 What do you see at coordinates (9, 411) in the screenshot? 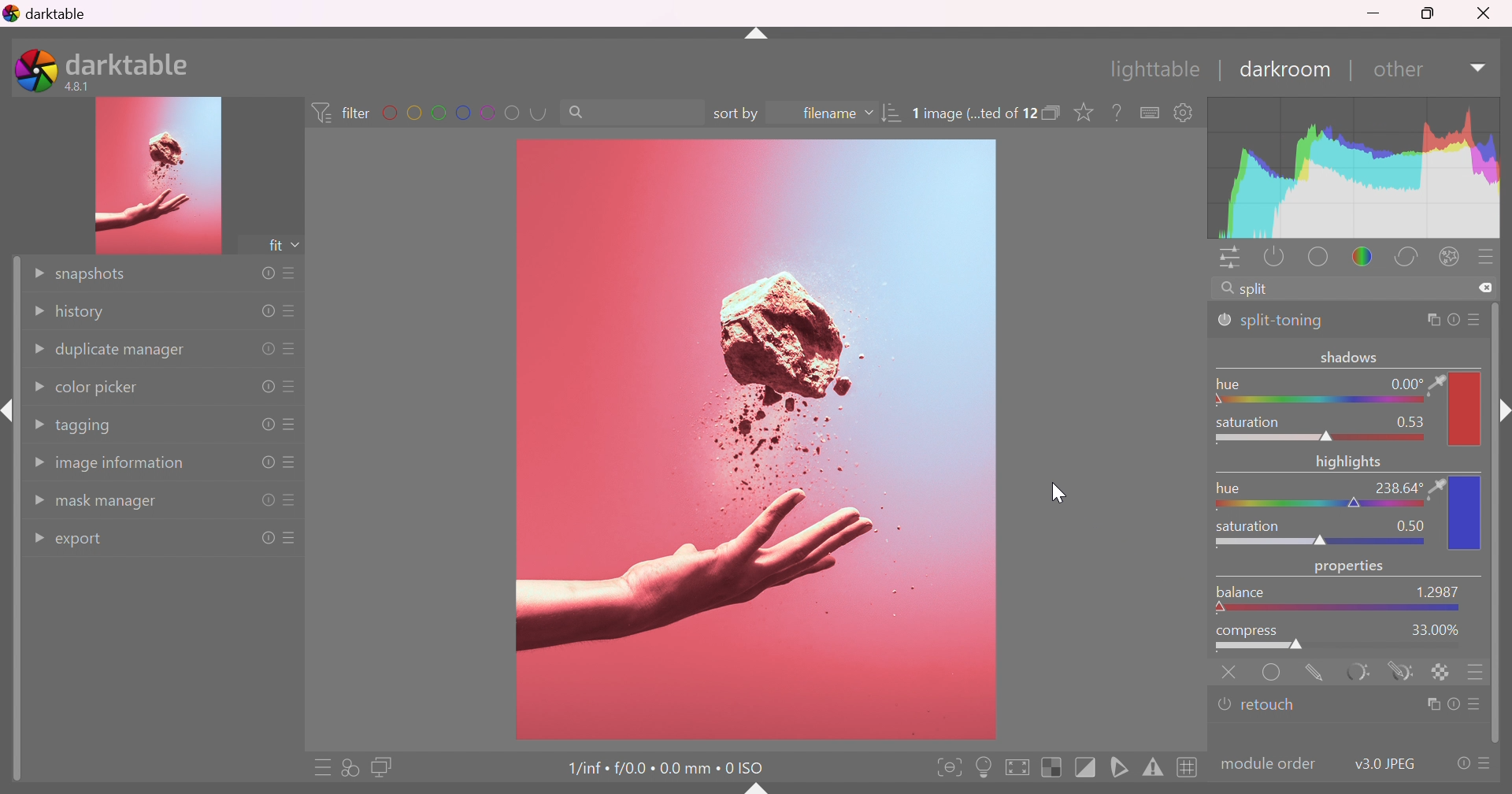
I see `shift+ctrl+i` at bounding box center [9, 411].